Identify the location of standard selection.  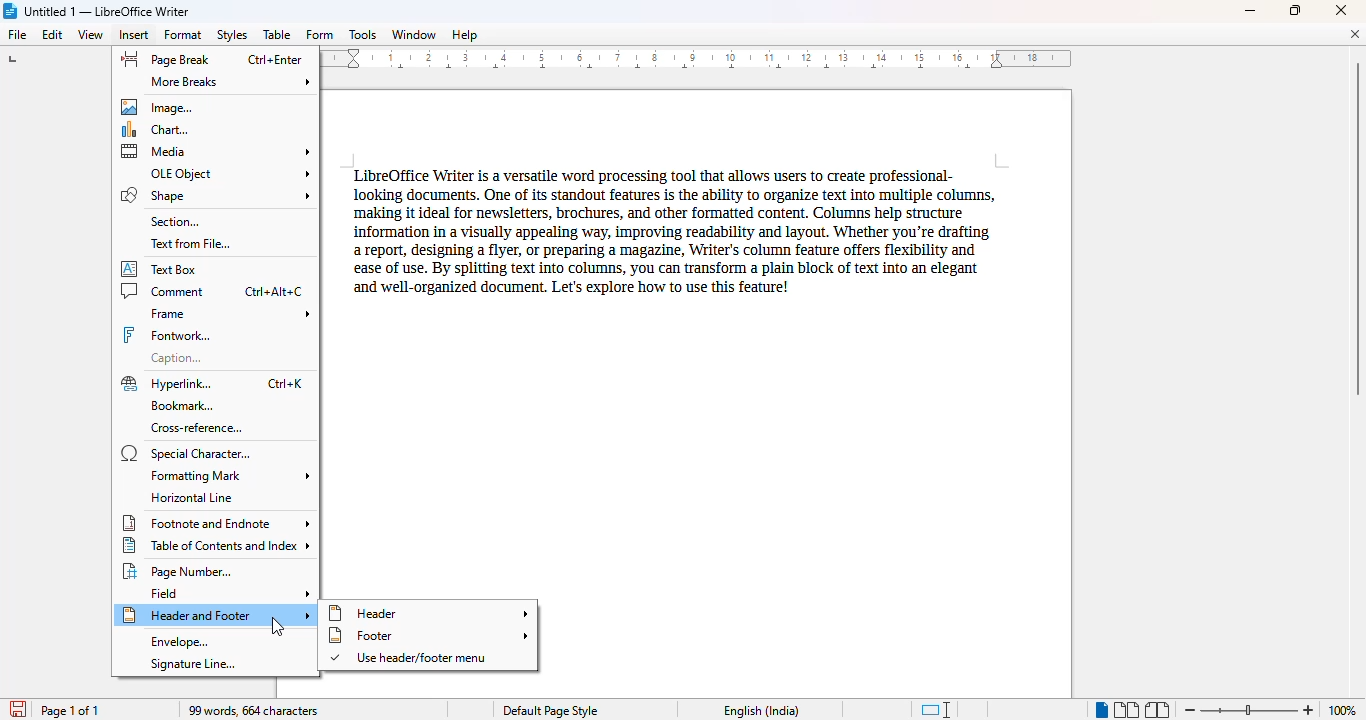
(937, 710).